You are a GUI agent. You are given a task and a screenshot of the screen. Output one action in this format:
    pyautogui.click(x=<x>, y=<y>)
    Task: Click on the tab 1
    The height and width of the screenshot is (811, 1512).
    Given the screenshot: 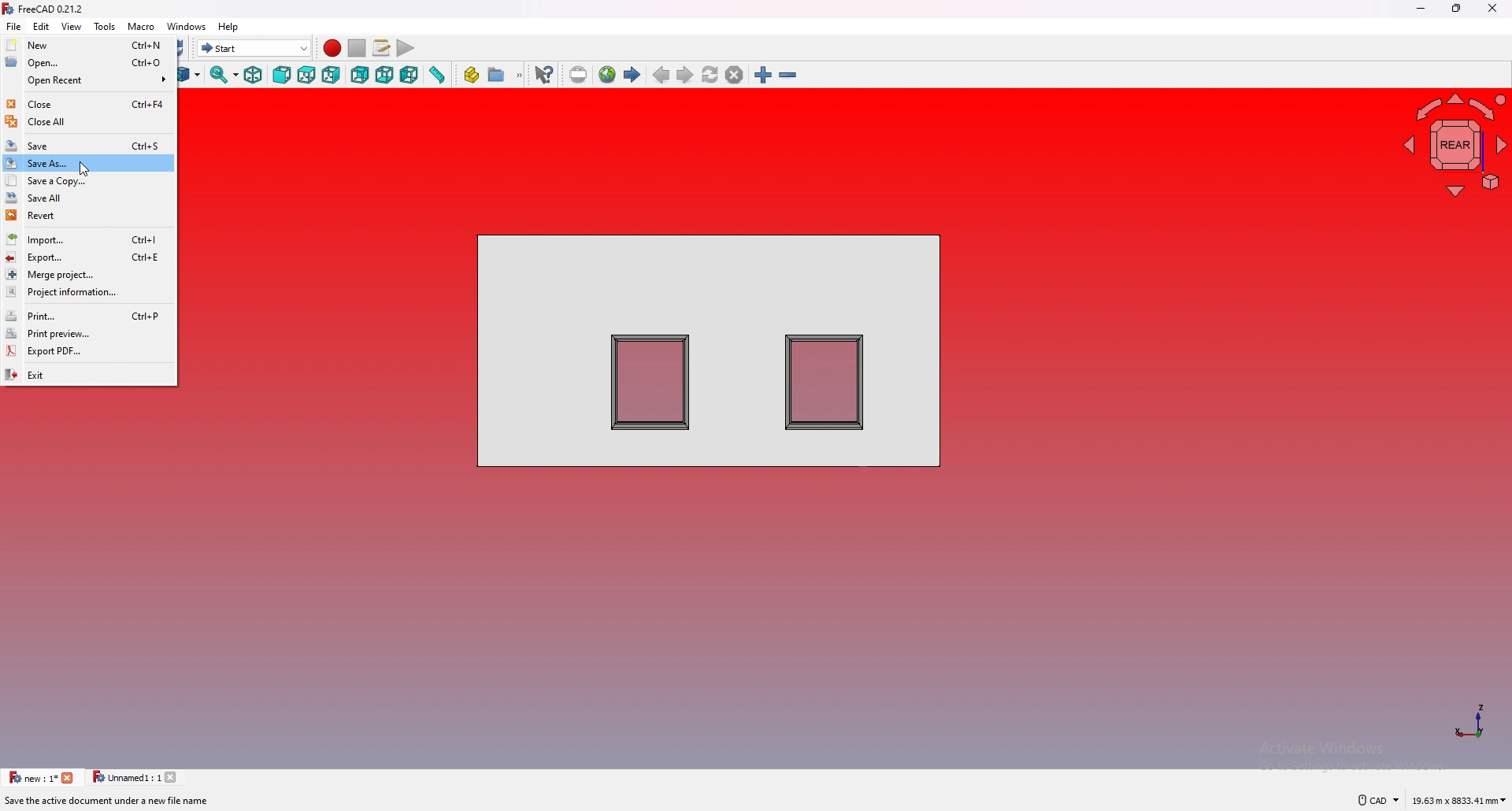 What is the action you would take?
    pyautogui.click(x=41, y=778)
    